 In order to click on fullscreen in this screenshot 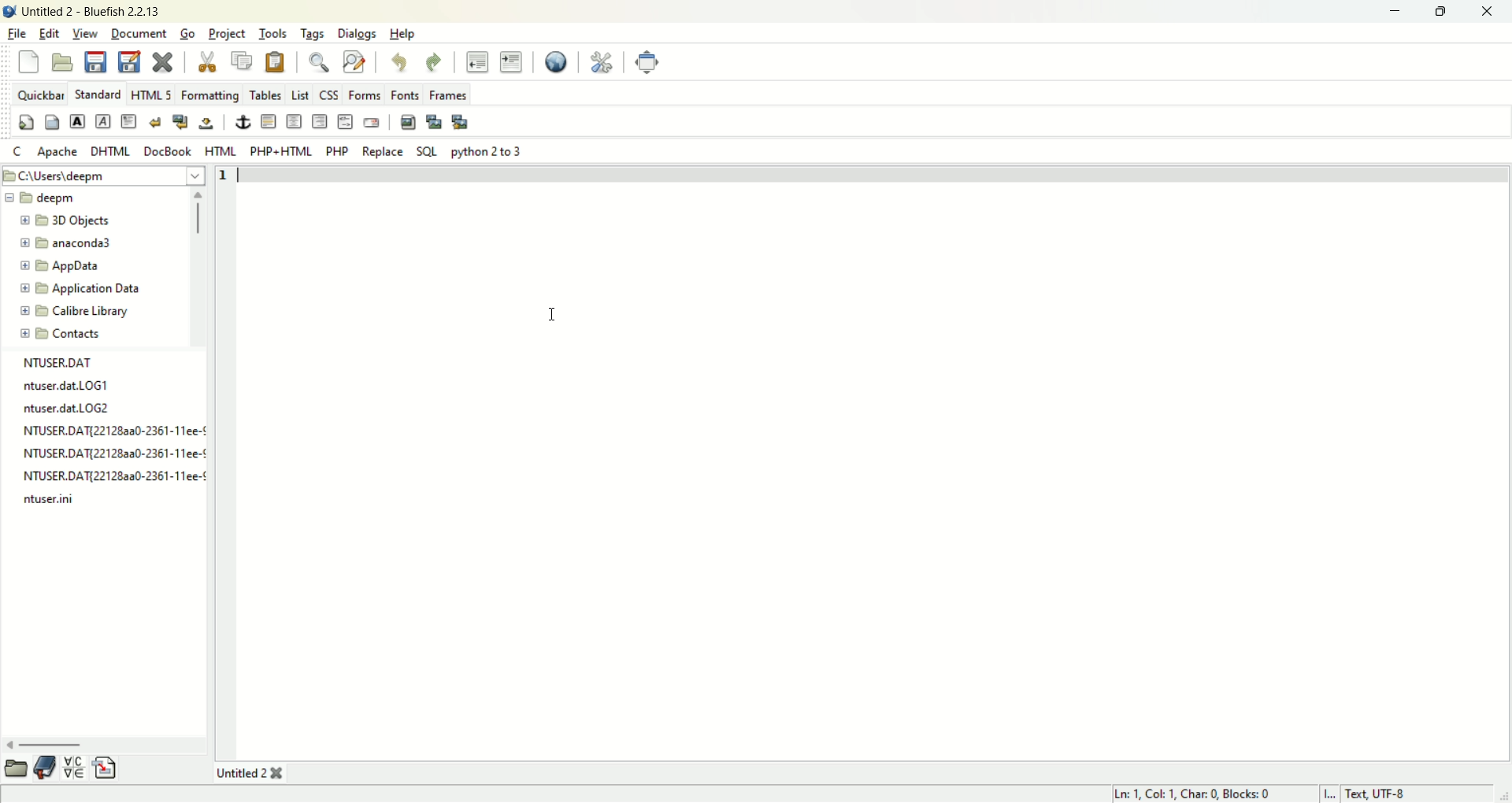, I will do `click(648, 61)`.